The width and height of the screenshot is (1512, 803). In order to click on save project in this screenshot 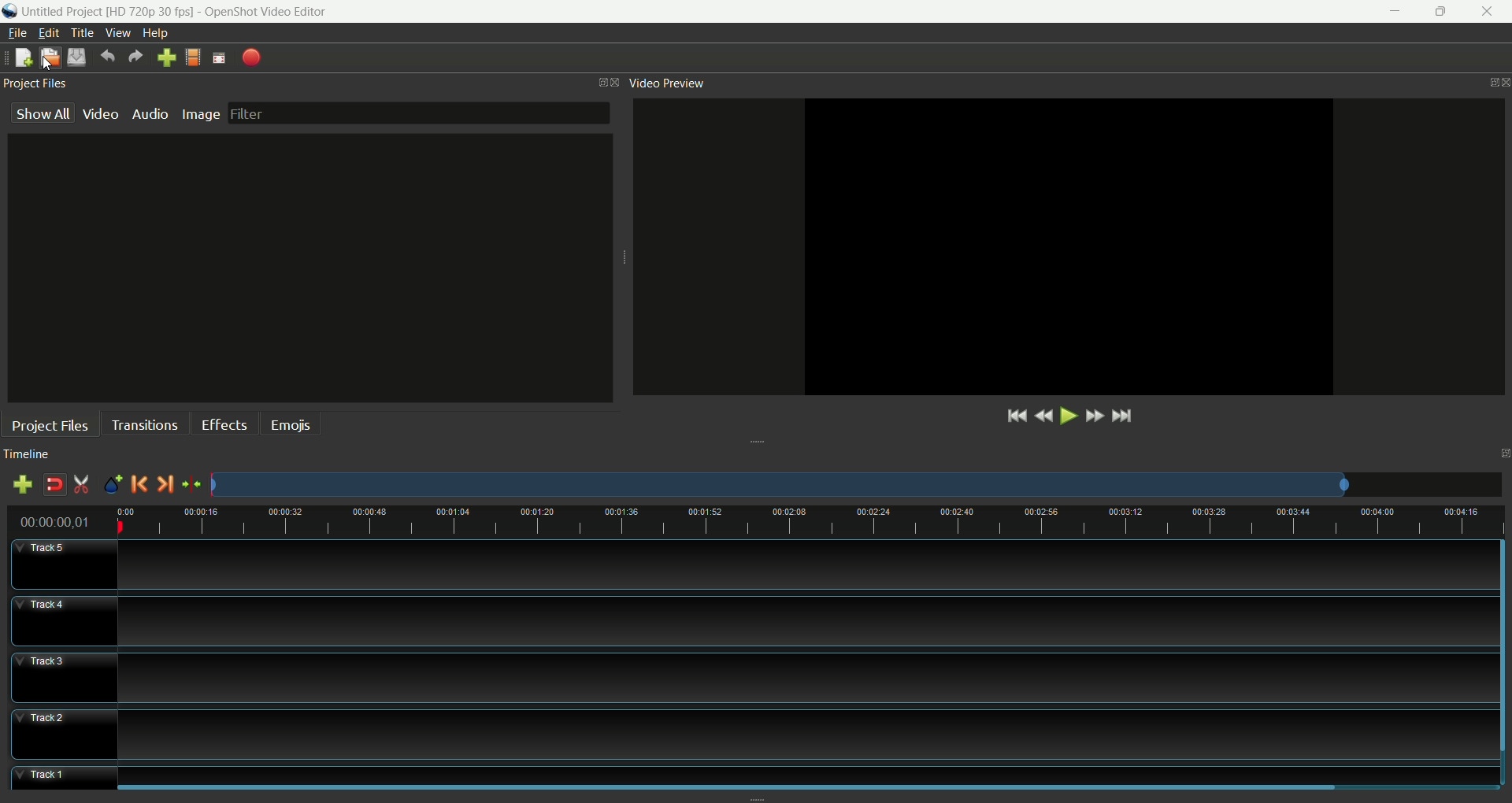, I will do `click(78, 58)`.